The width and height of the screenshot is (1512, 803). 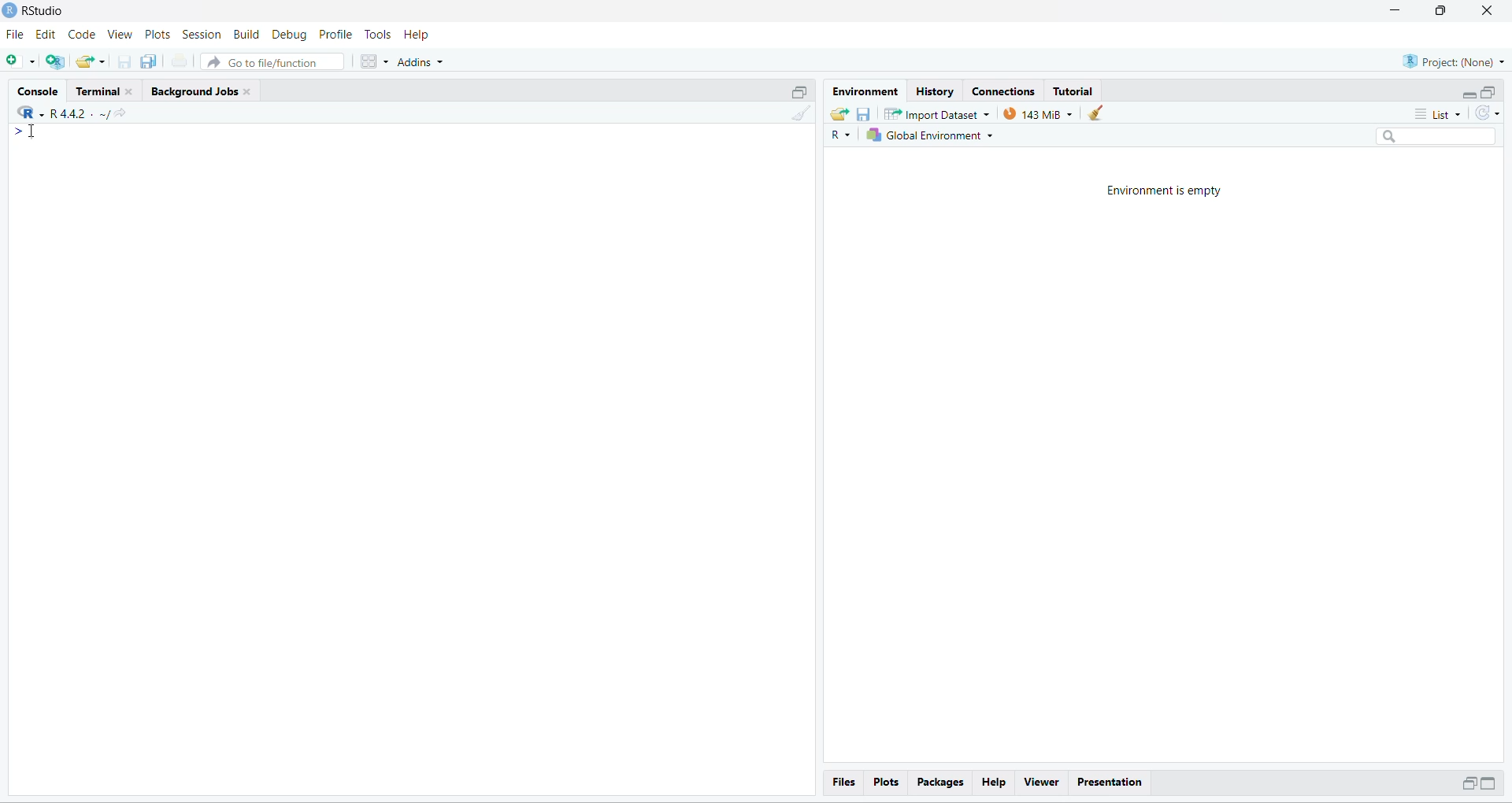 I want to click on search box, so click(x=1440, y=136).